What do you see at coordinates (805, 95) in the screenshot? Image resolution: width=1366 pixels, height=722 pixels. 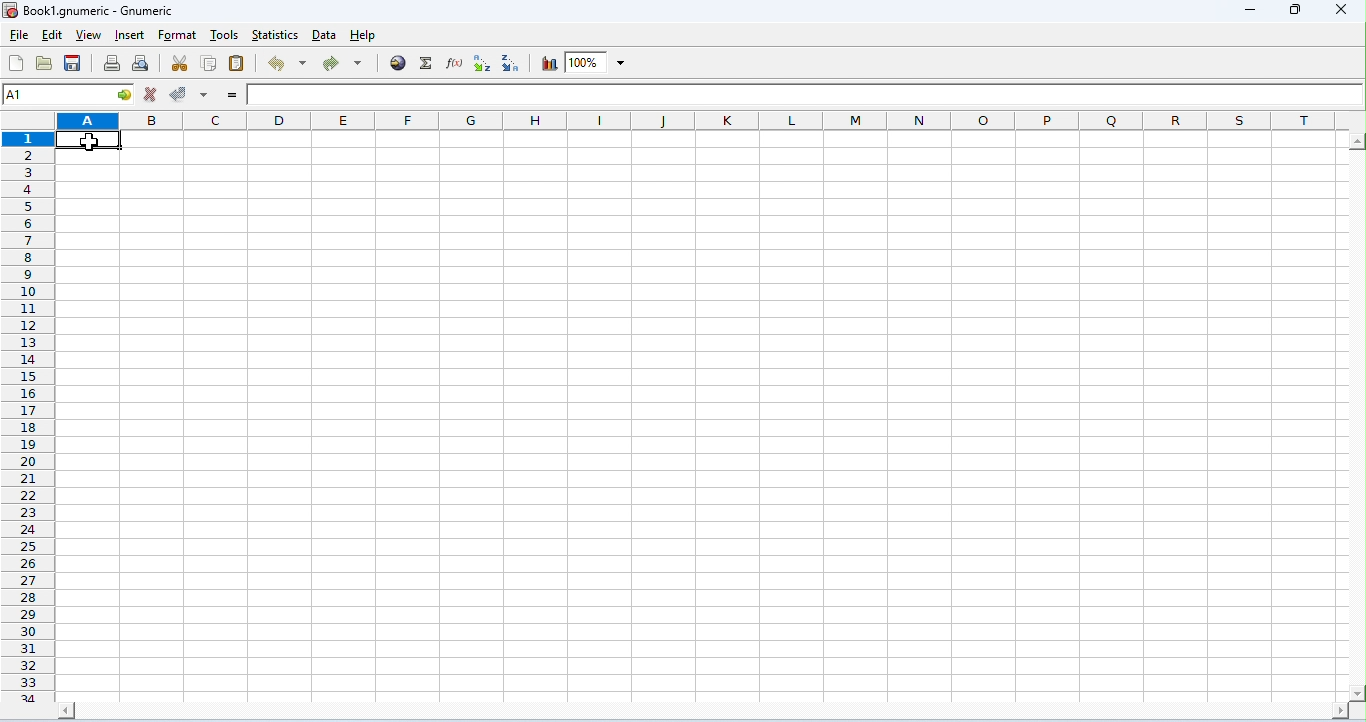 I see `formula bar` at bounding box center [805, 95].